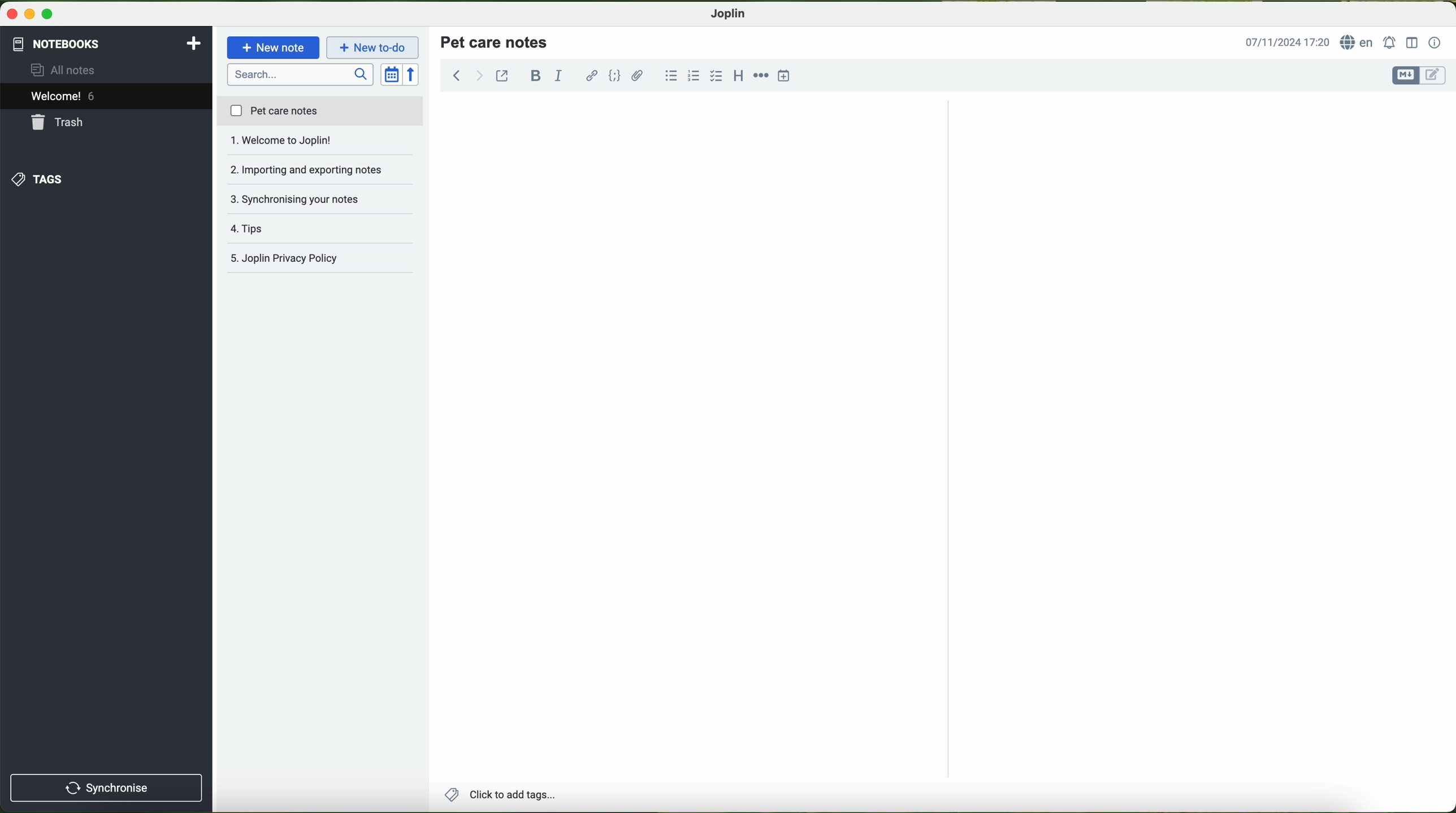  What do you see at coordinates (1286, 43) in the screenshot?
I see `hour and date` at bounding box center [1286, 43].